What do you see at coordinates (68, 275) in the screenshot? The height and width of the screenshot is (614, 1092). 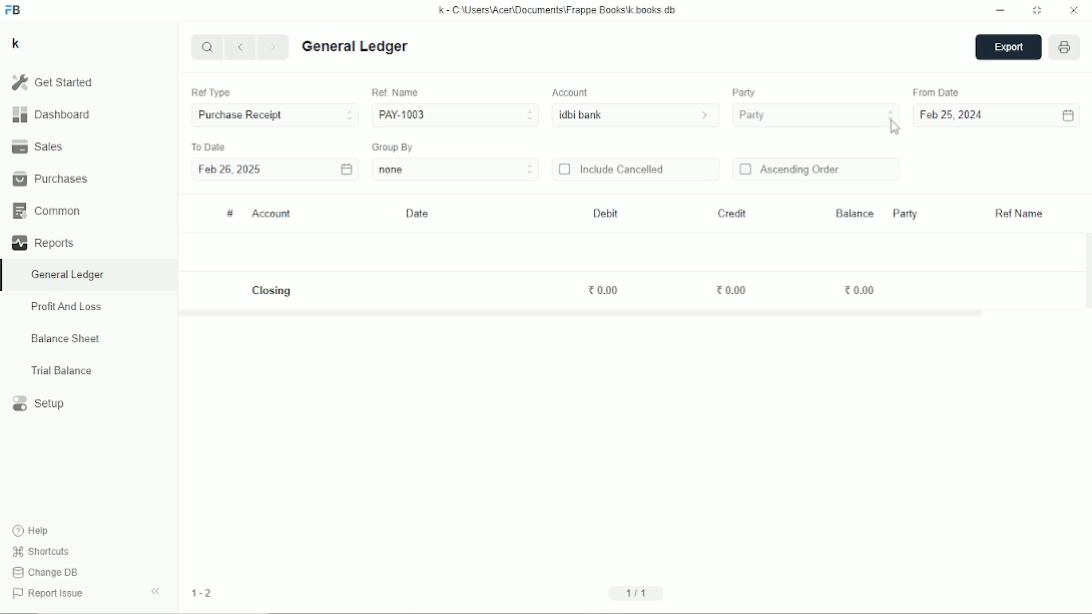 I see `General ledger` at bounding box center [68, 275].